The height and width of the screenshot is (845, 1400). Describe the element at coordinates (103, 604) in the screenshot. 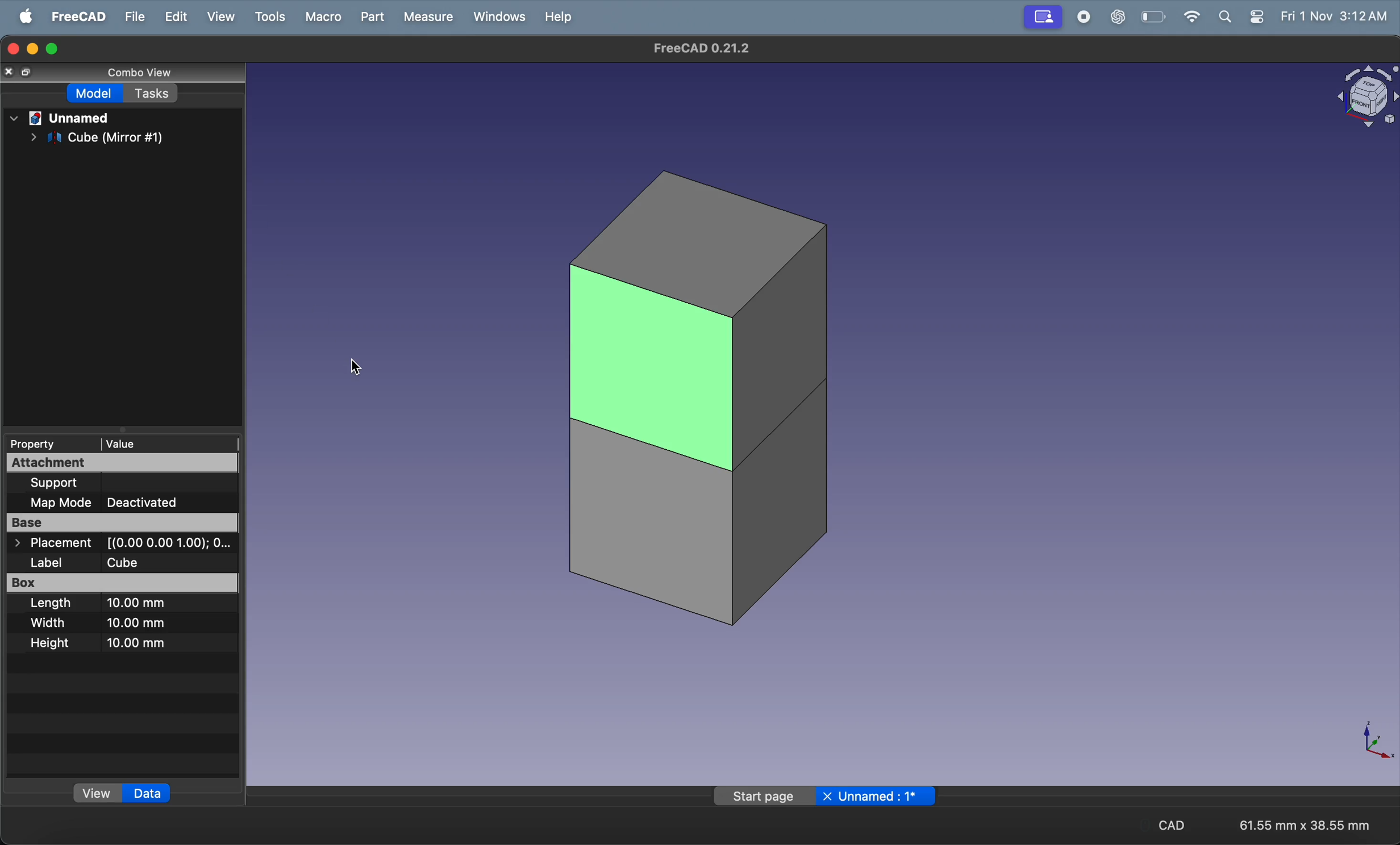

I see `Length     10.00 mm` at that location.